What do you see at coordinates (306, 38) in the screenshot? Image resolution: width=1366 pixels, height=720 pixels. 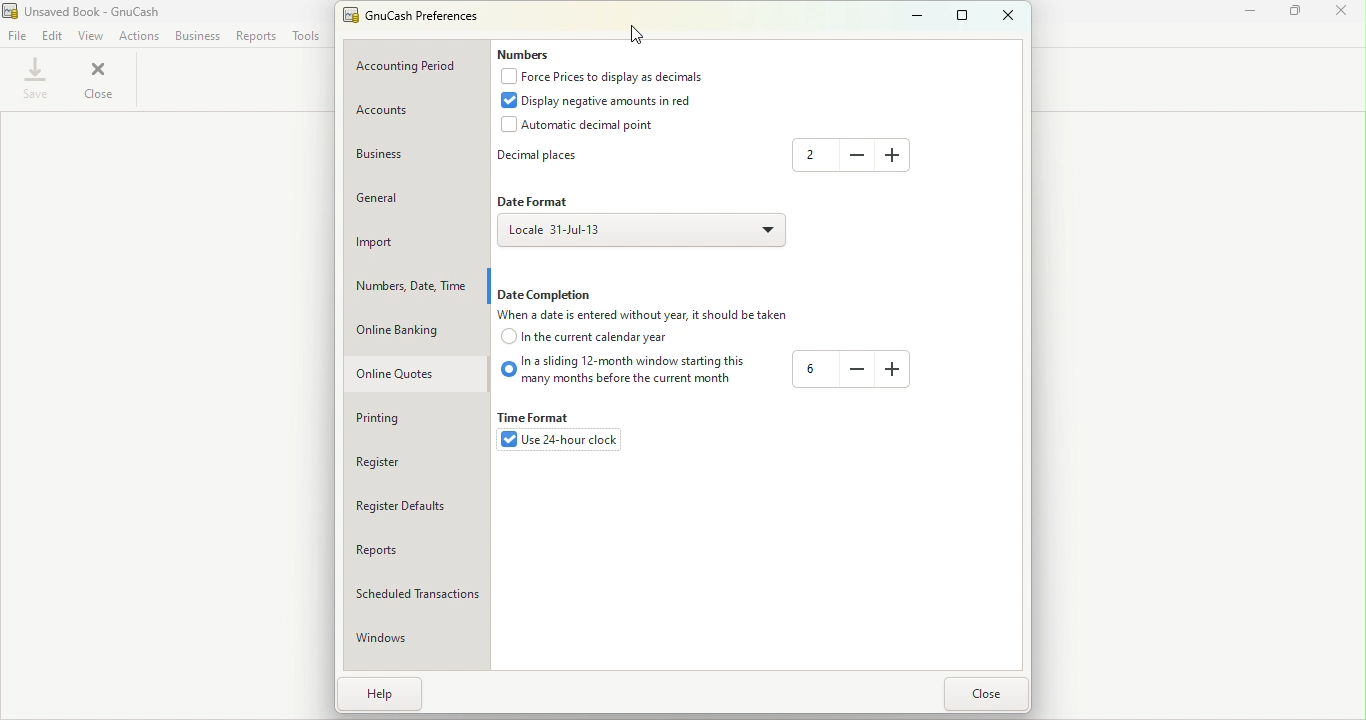 I see `Tools` at bounding box center [306, 38].